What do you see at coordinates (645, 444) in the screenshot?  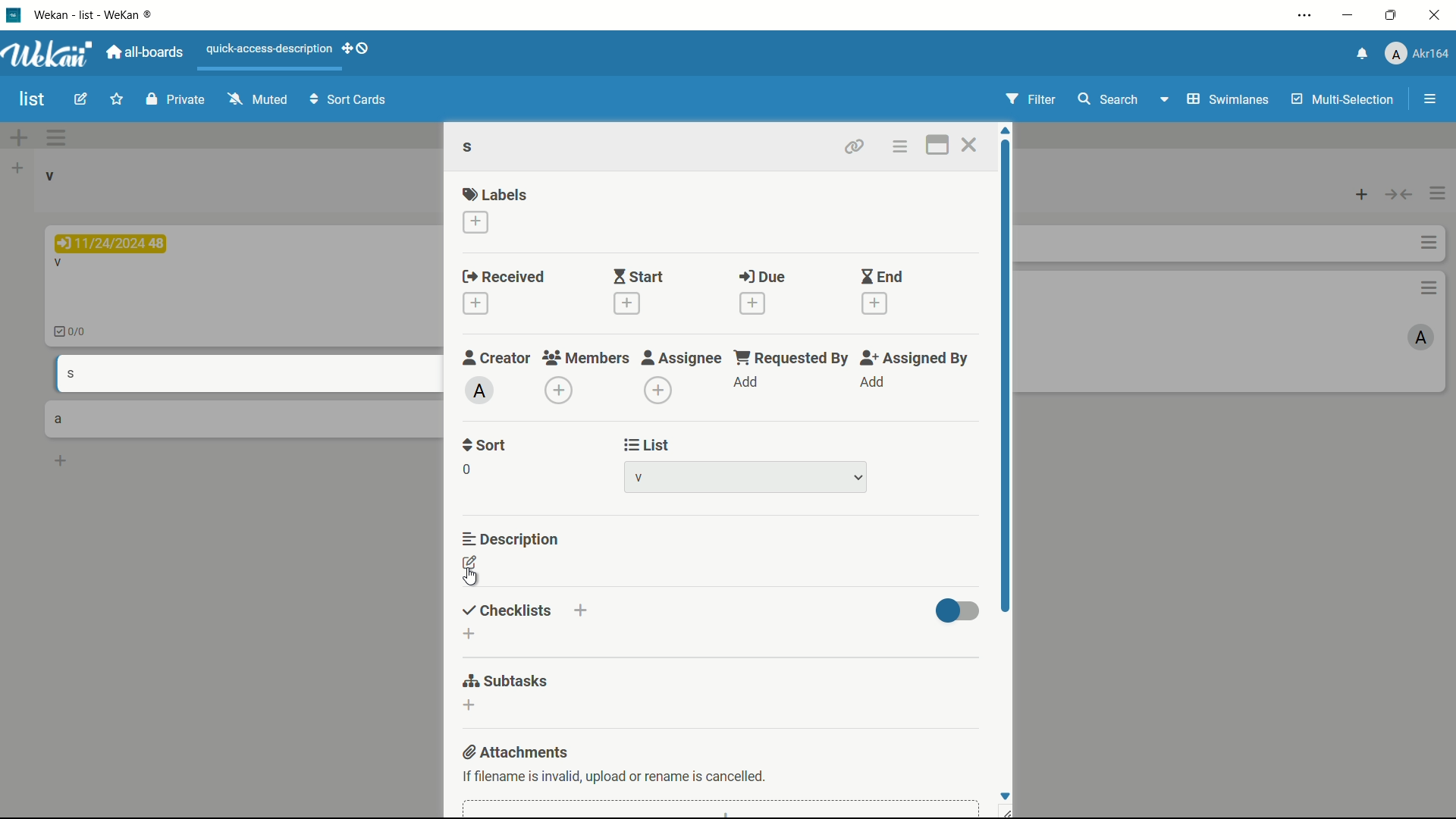 I see `list` at bounding box center [645, 444].